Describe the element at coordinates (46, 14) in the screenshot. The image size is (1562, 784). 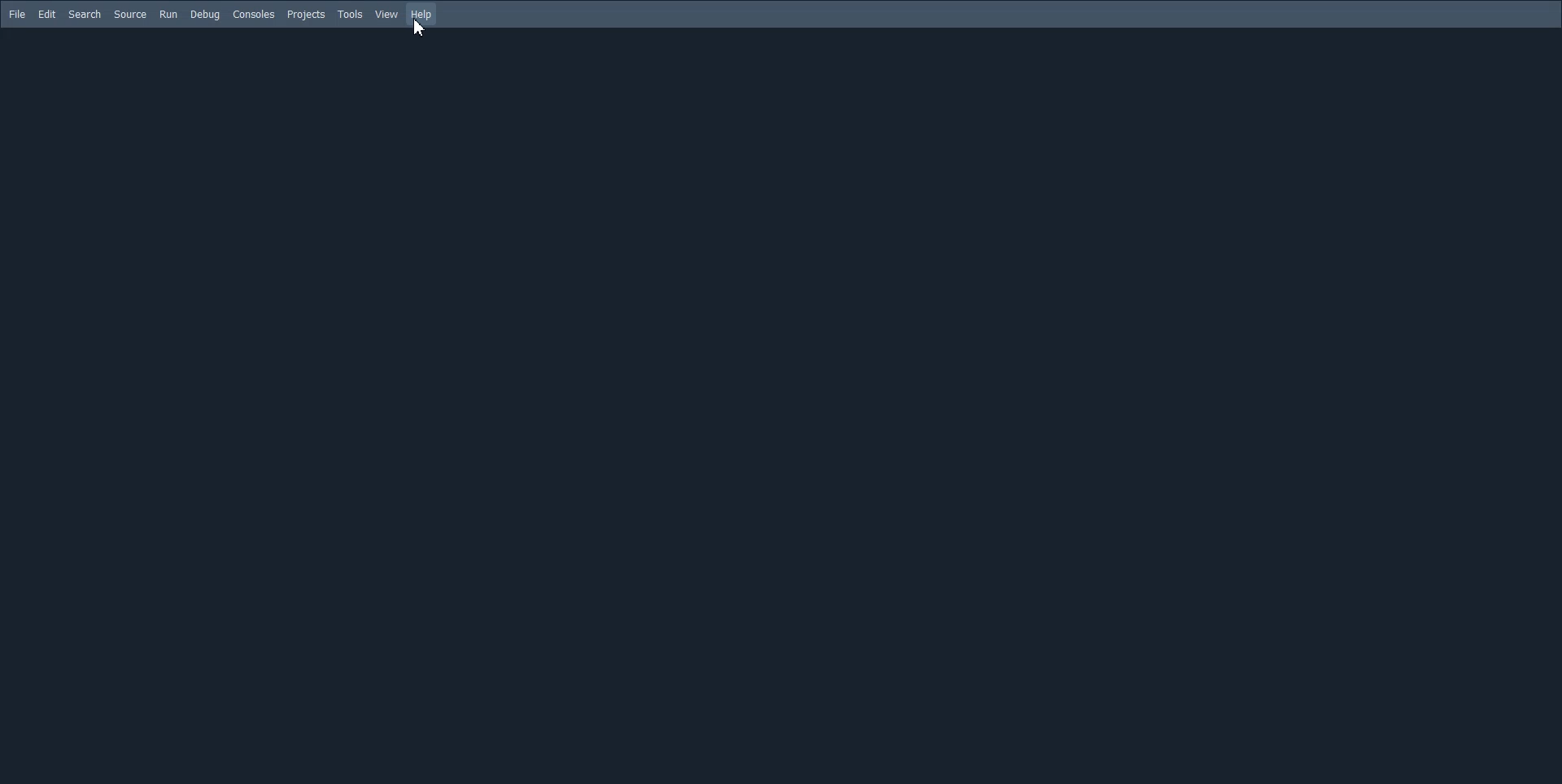
I see `Edit` at that location.